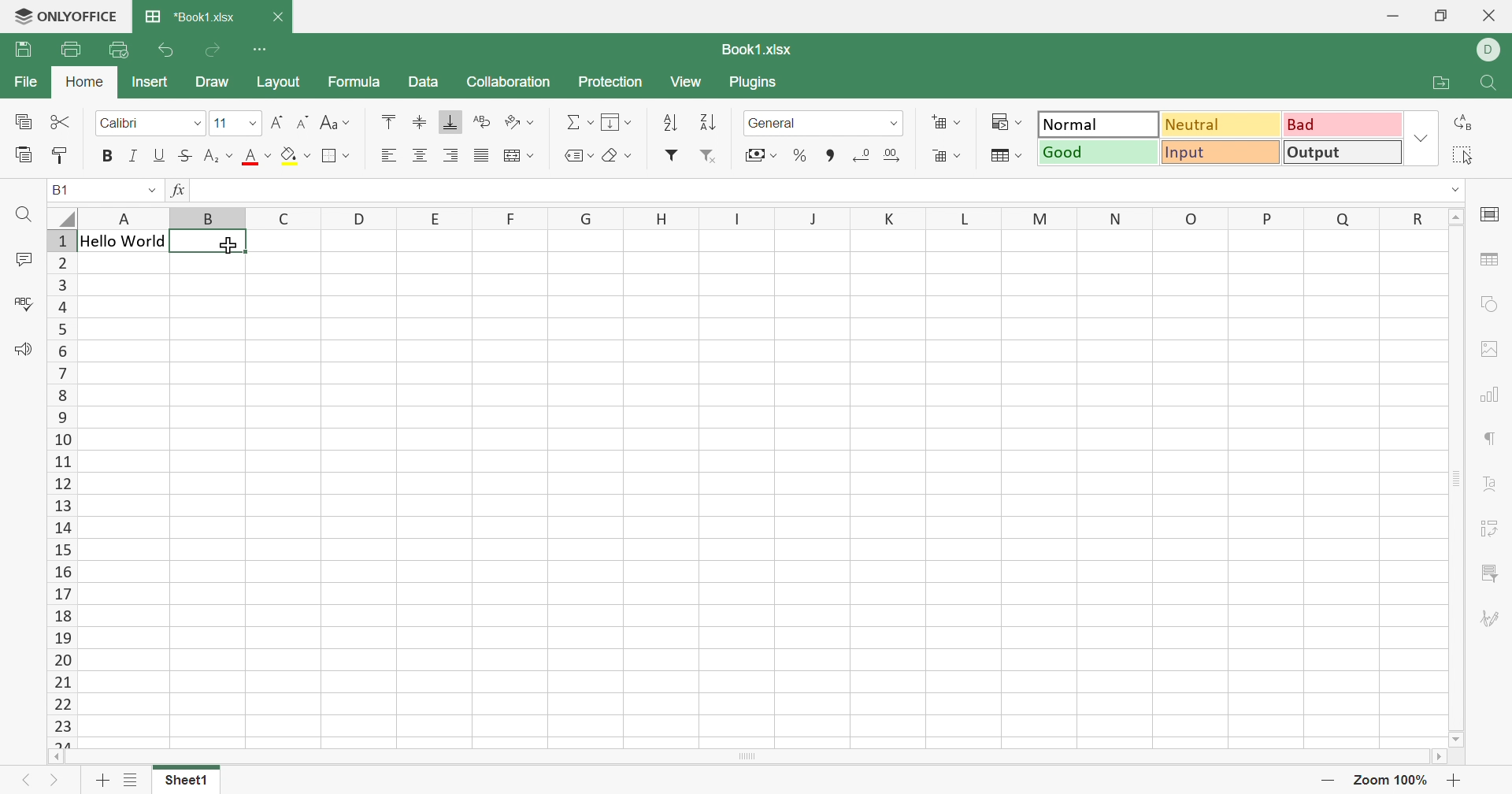 The image size is (1512, 794). Describe the element at coordinates (1491, 438) in the screenshot. I see `paragraph settings` at that location.